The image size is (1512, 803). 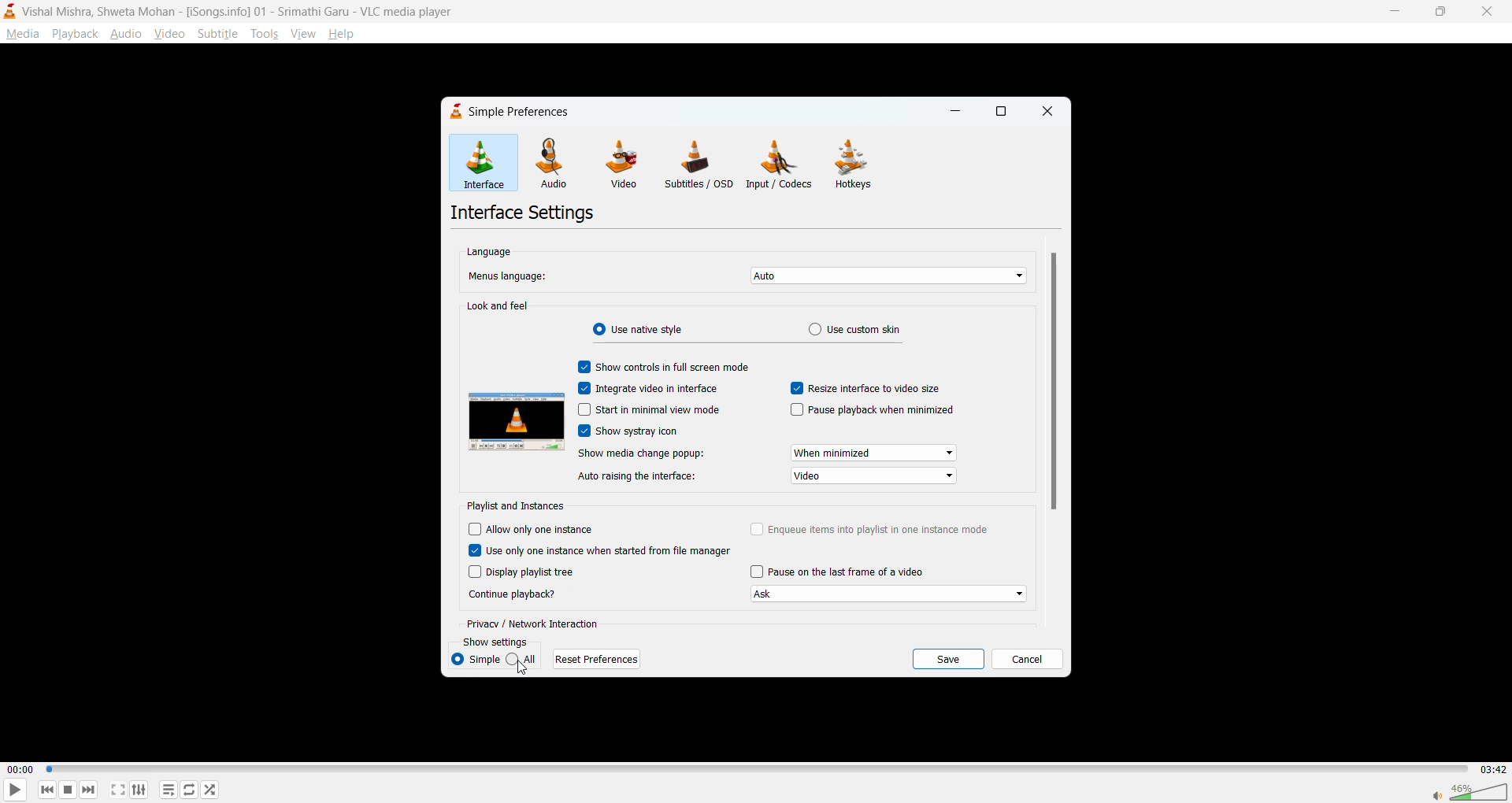 I want to click on pause on last frame of video, so click(x=840, y=572).